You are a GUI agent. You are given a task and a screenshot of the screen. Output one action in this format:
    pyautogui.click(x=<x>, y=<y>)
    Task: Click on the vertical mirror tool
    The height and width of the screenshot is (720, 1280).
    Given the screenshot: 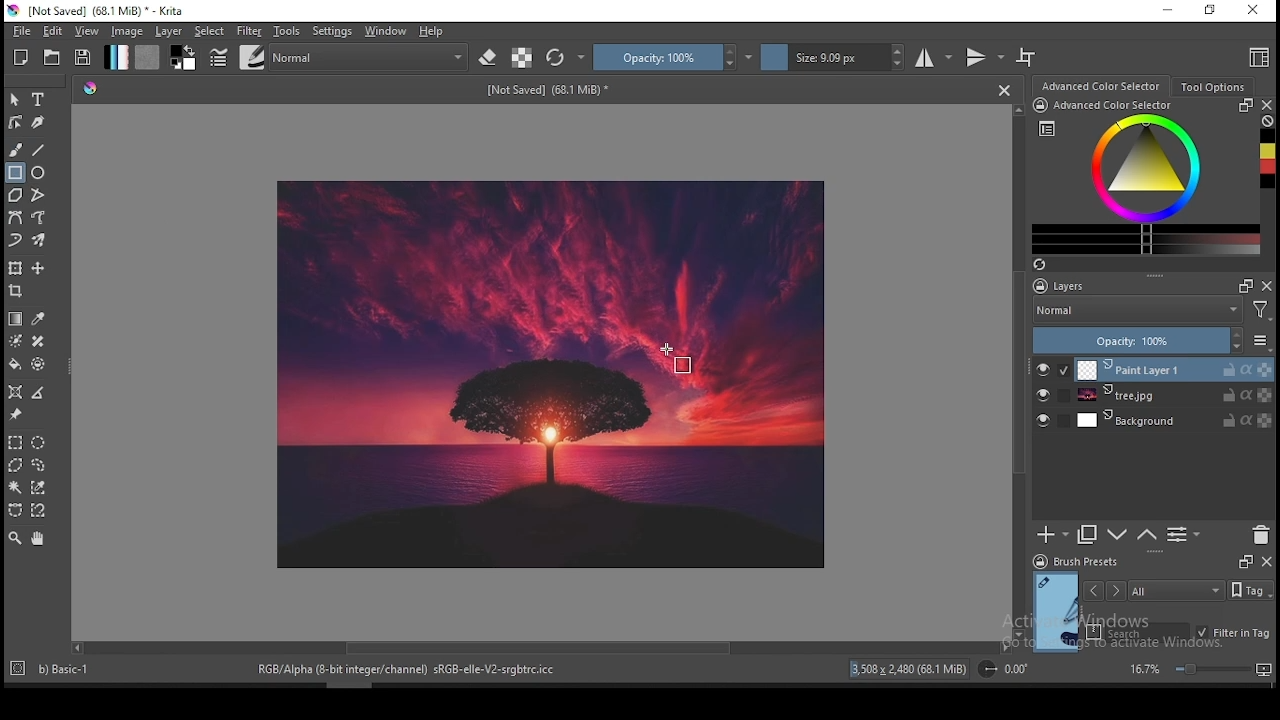 What is the action you would take?
    pyautogui.click(x=984, y=58)
    